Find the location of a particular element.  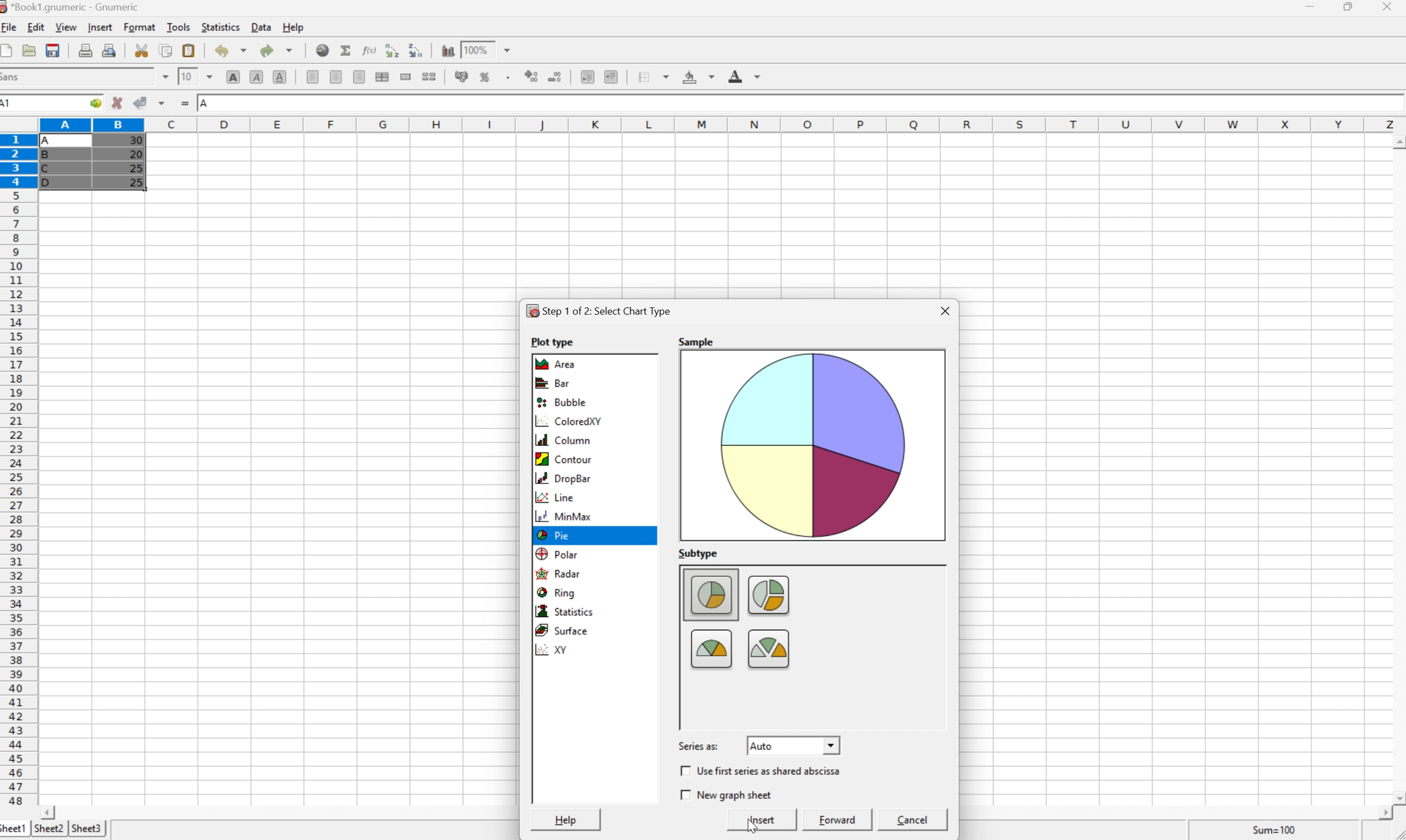

Merge a range of cells is located at coordinates (406, 78).